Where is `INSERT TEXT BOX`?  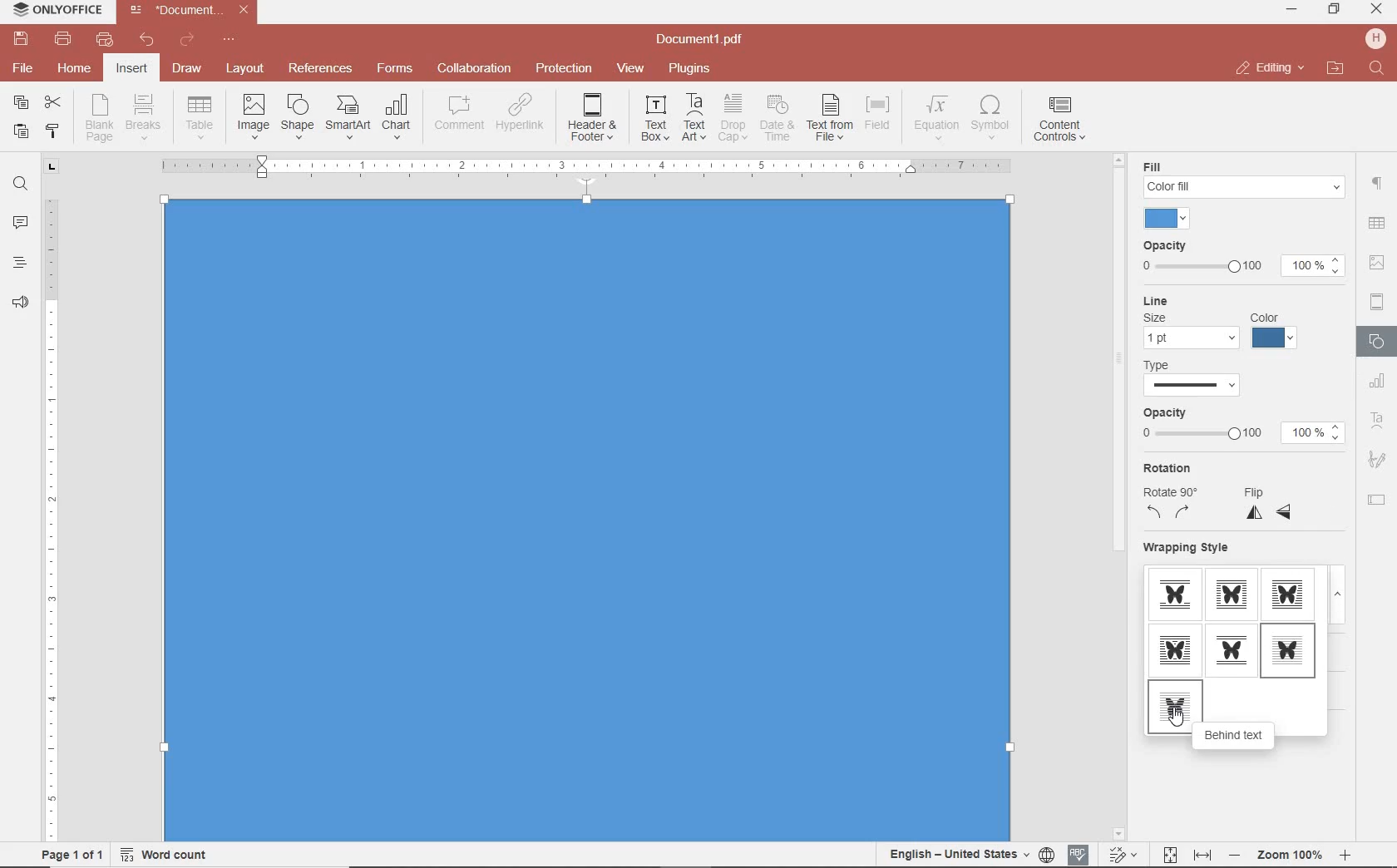
INSERT TEXT BOX is located at coordinates (654, 117).